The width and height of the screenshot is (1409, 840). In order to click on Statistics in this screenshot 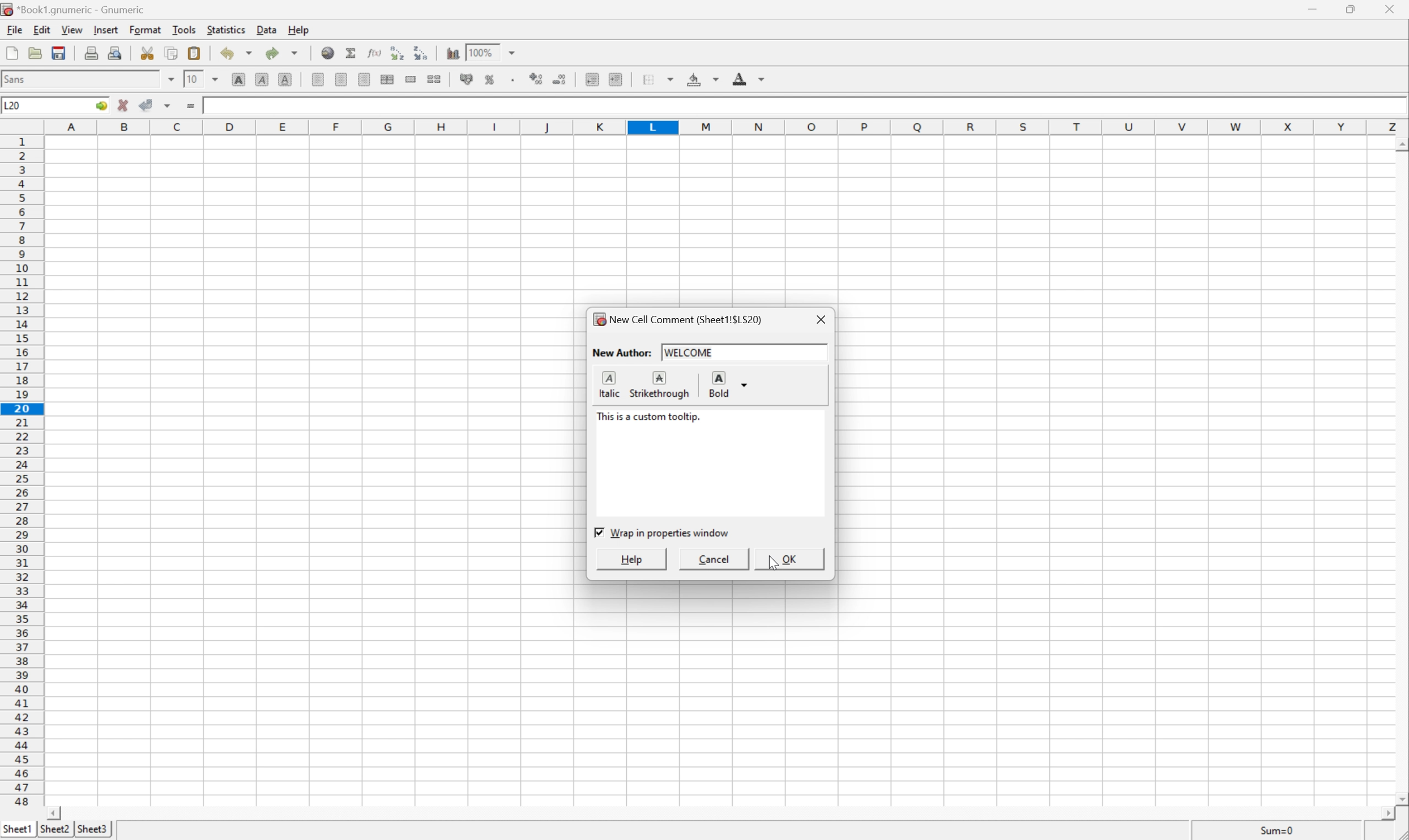, I will do `click(227, 29)`.